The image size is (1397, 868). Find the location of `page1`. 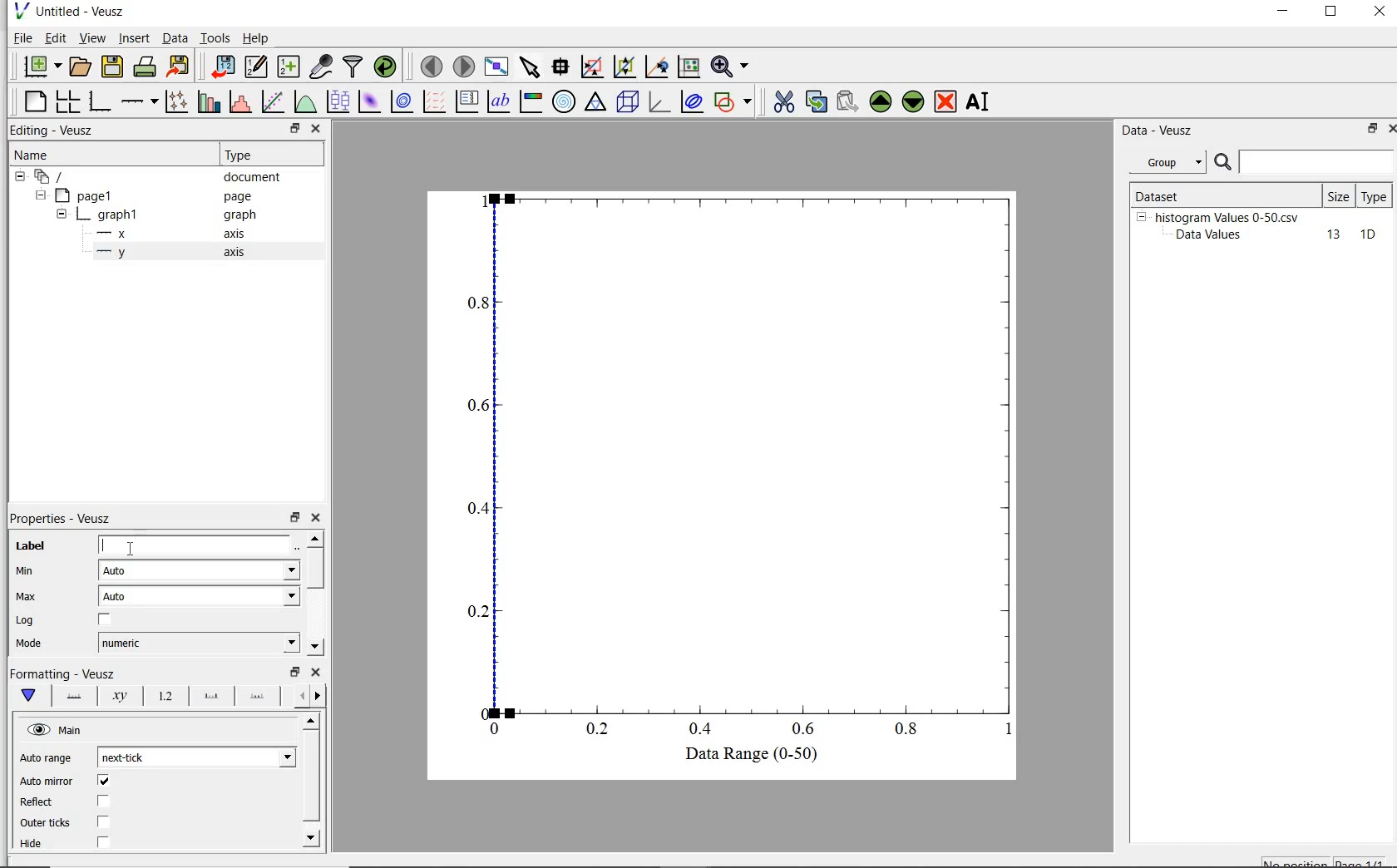

page1 is located at coordinates (87, 197).